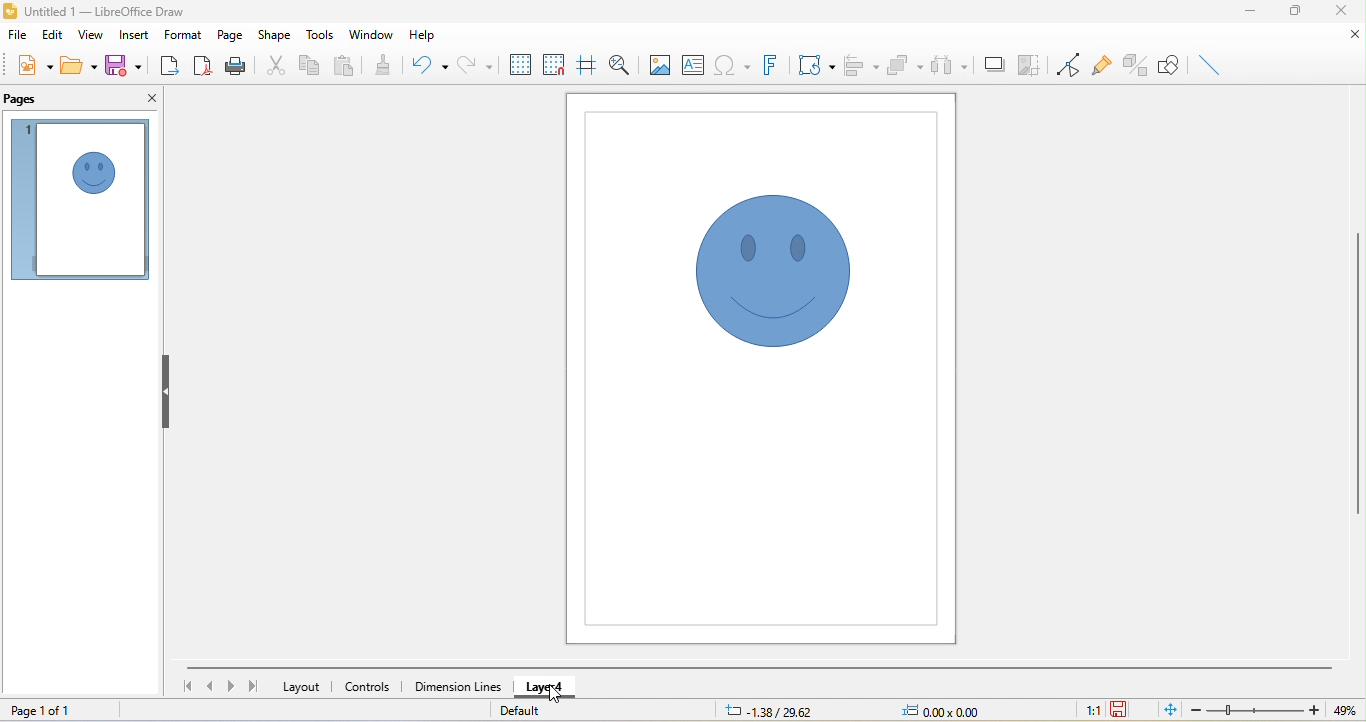  Describe the element at coordinates (204, 64) in the screenshot. I see `export directly as pdf` at that location.